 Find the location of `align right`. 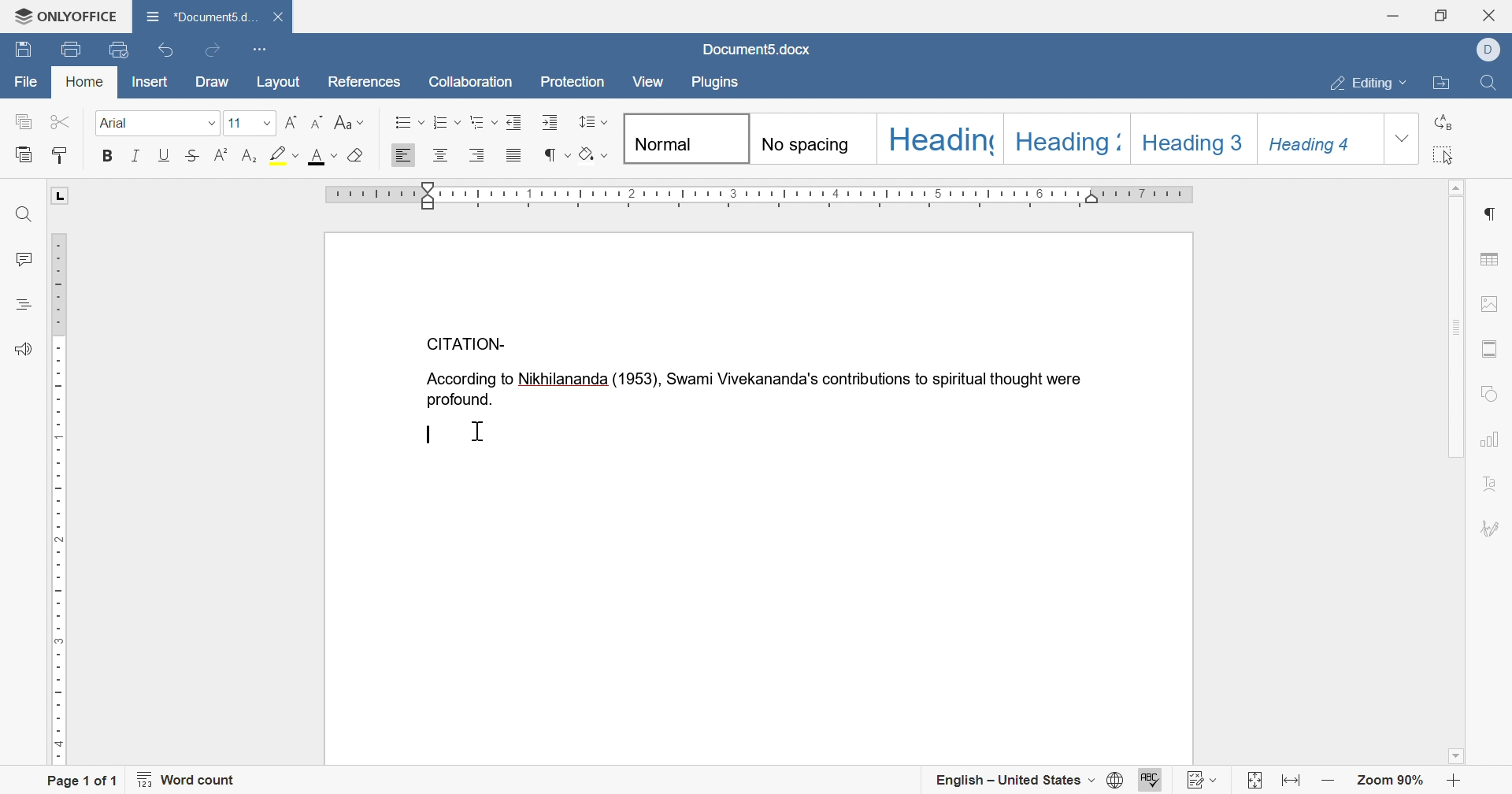

align right is located at coordinates (479, 155).